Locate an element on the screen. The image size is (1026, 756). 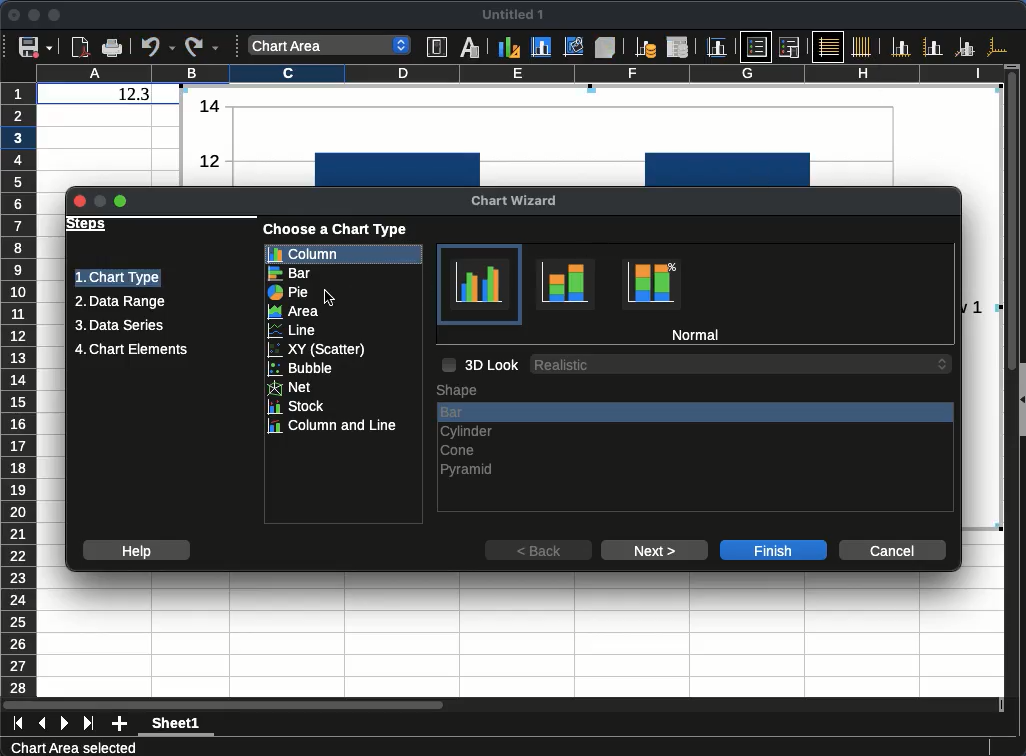
minimize is located at coordinates (35, 15).